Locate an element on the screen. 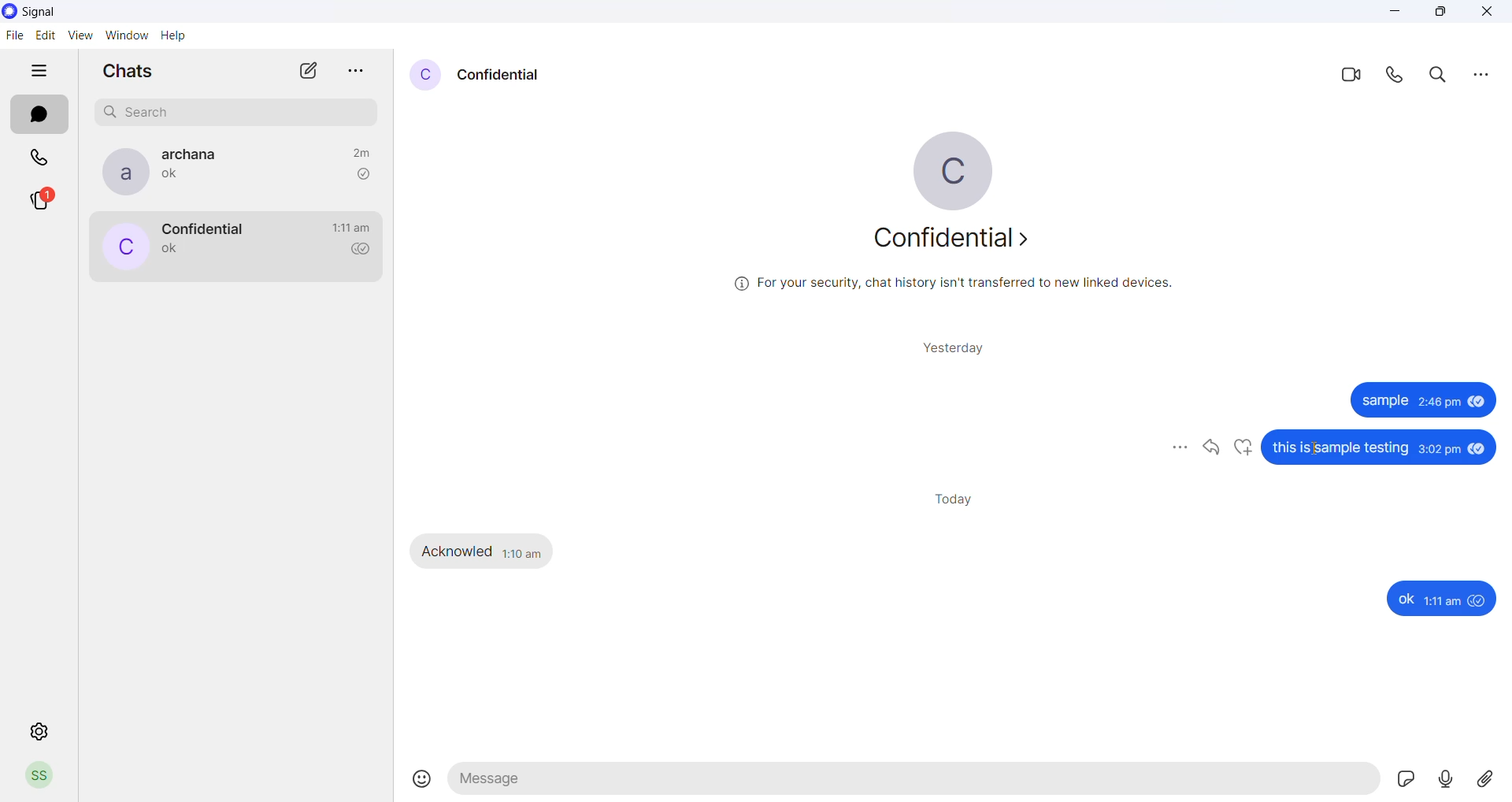  yesterday messages heading is located at coordinates (951, 344).